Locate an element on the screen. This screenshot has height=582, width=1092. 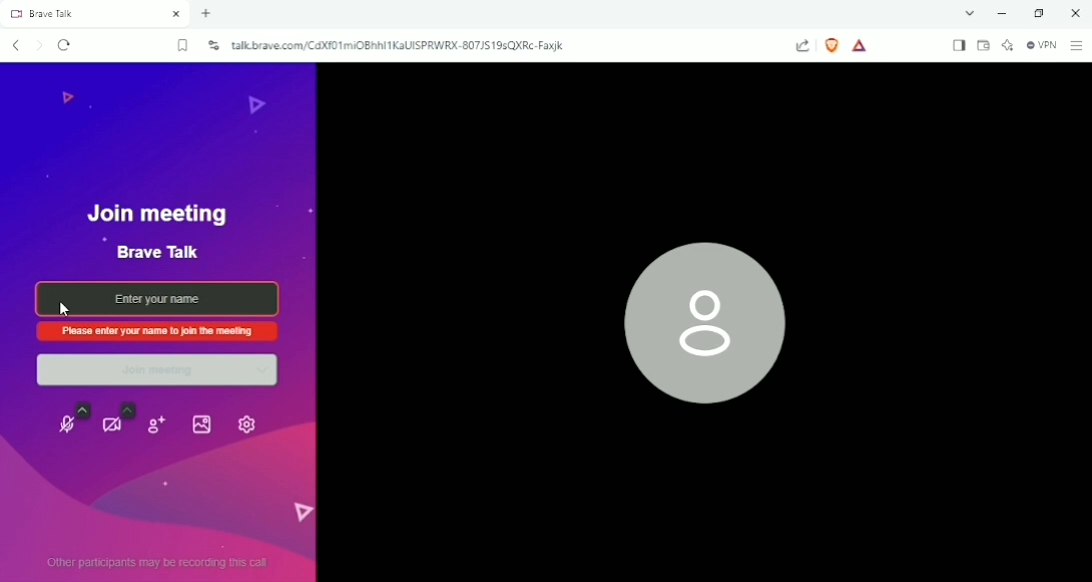
Enter your name is located at coordinates (156, 297).